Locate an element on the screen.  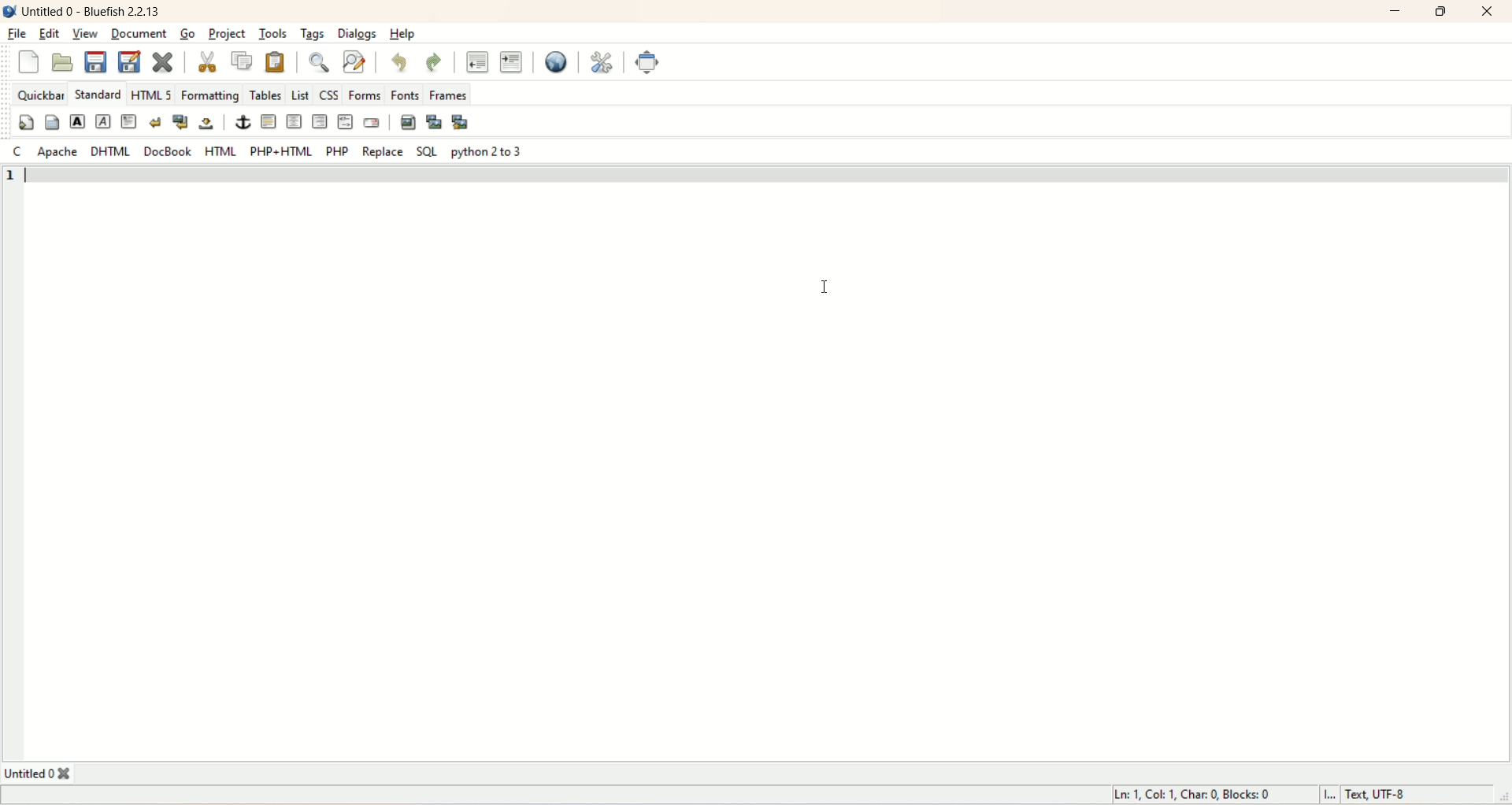
forms is located at coordinates (364, 94).